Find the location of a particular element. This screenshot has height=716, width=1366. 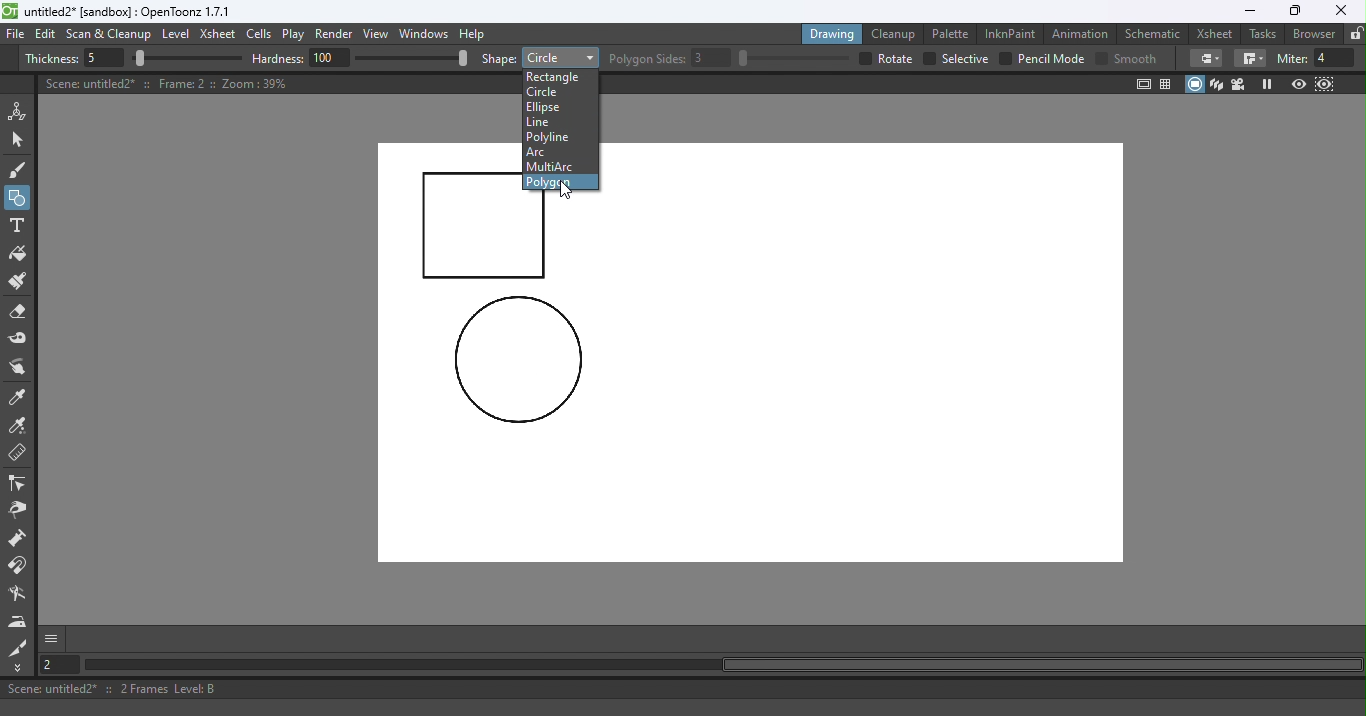

Polygon is located at coordinates (553, 181).